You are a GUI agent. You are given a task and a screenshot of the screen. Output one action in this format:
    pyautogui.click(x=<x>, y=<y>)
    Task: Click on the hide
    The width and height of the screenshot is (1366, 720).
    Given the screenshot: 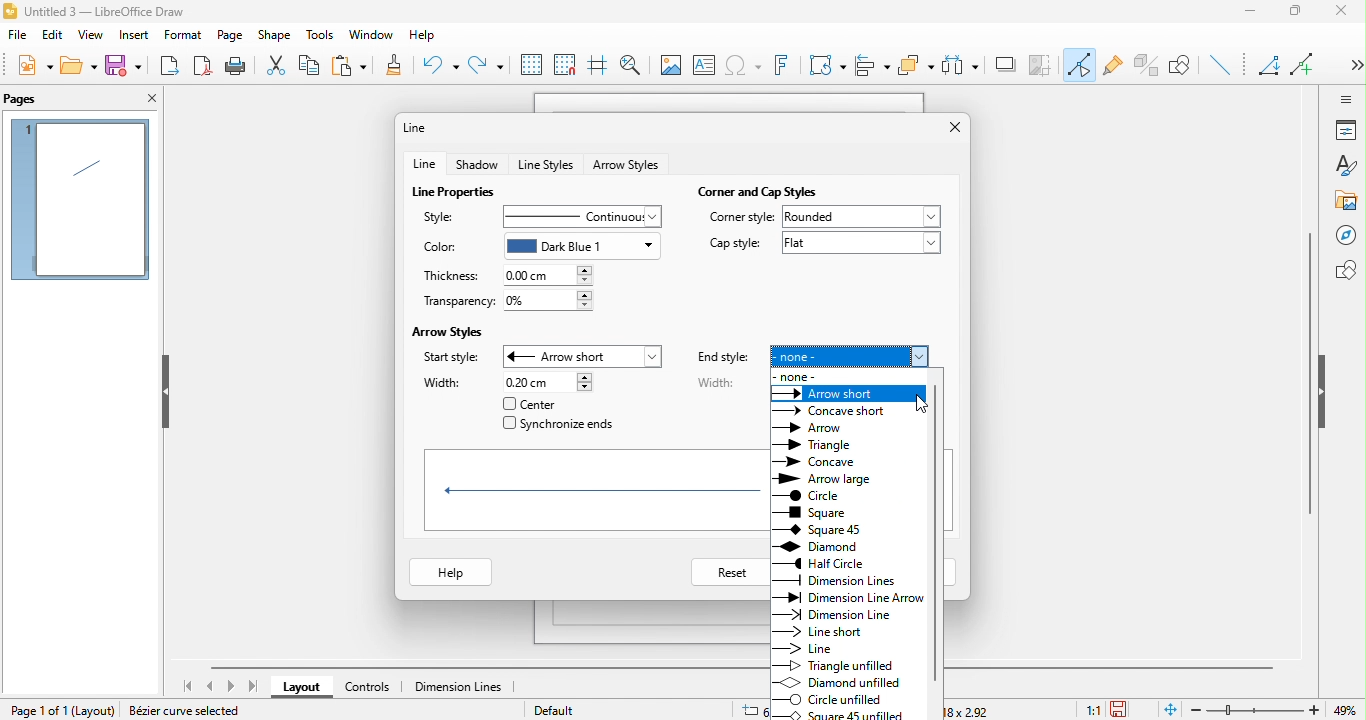 What is the action you would take?
    pyautogui.click(x=164, y=393)
    